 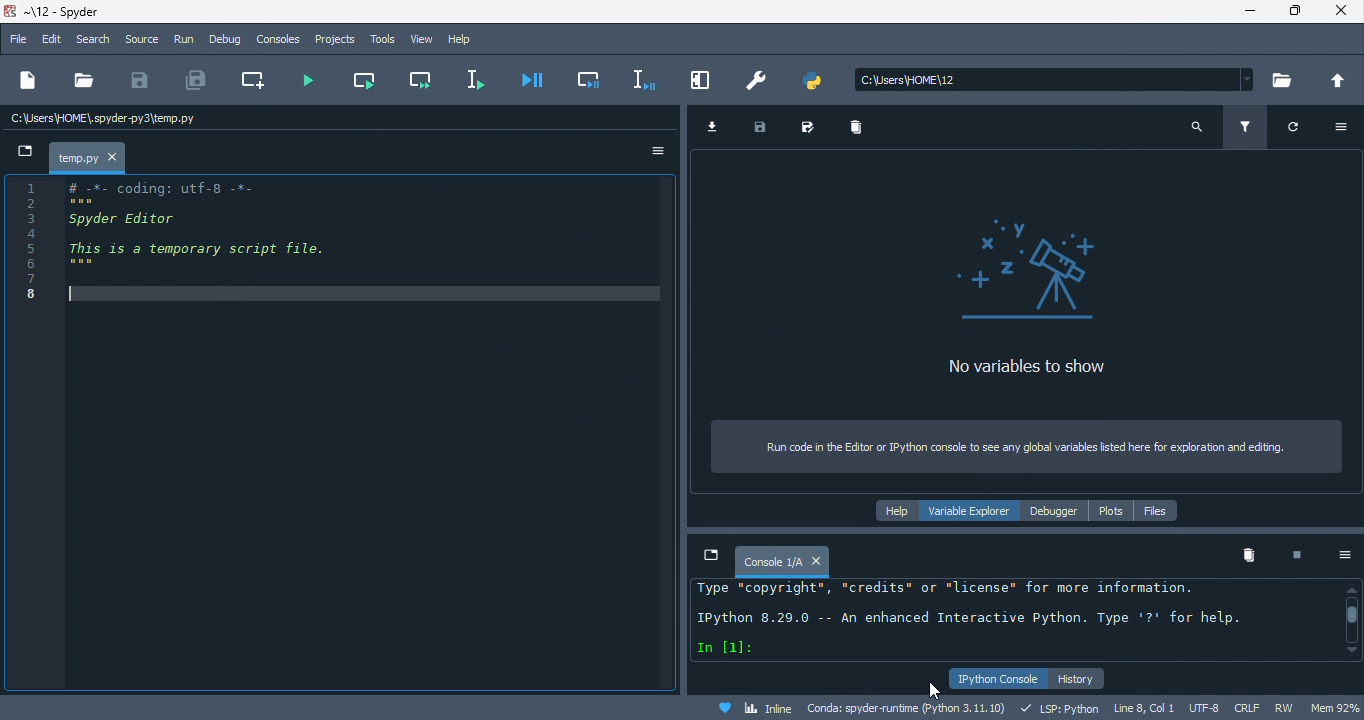 I want to click on view, so click(x=420, y=38).